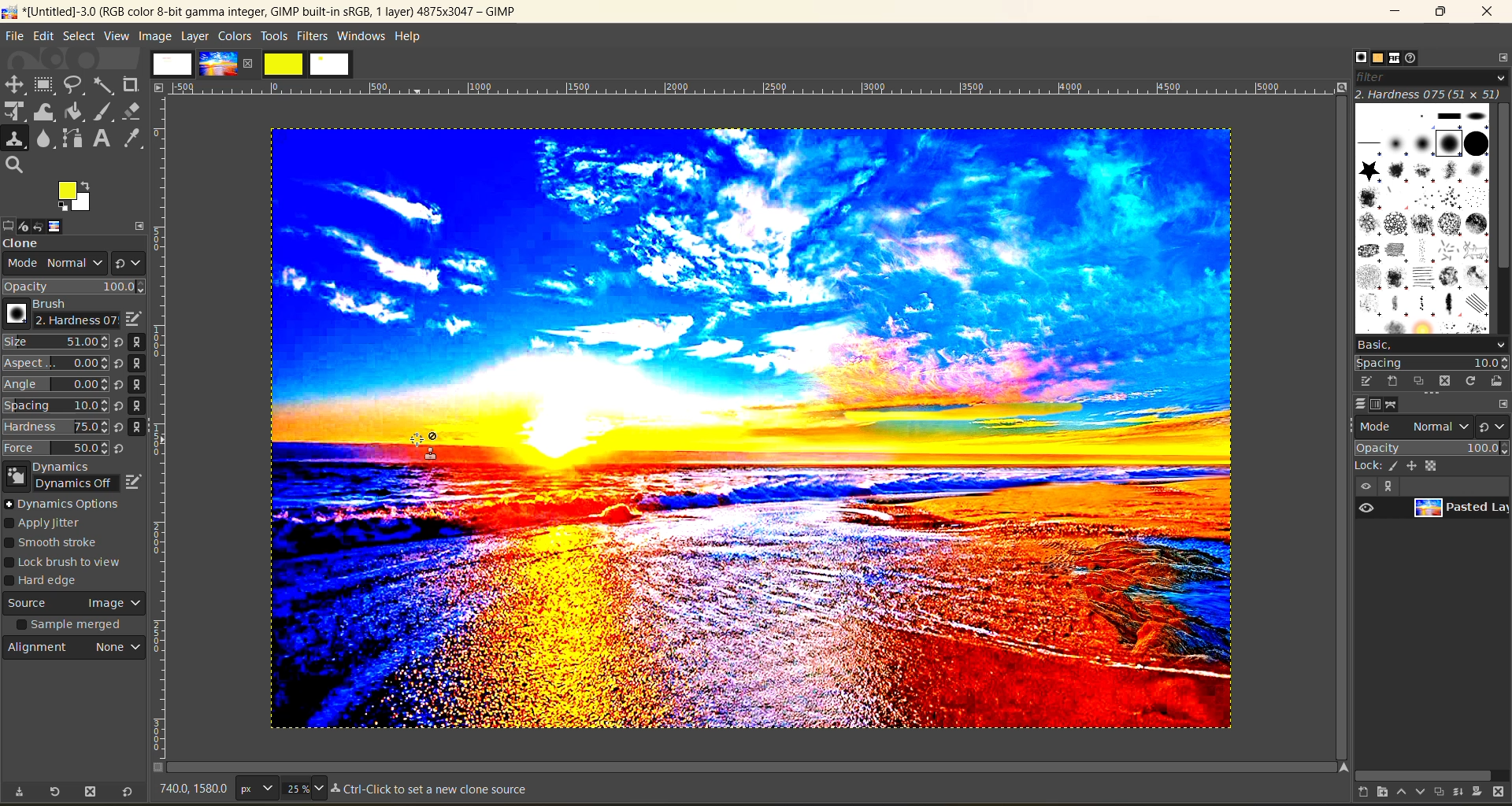  Describe the element at coordinates (76, 198) in the screenshot. I see `active foreground and background color` at that location.